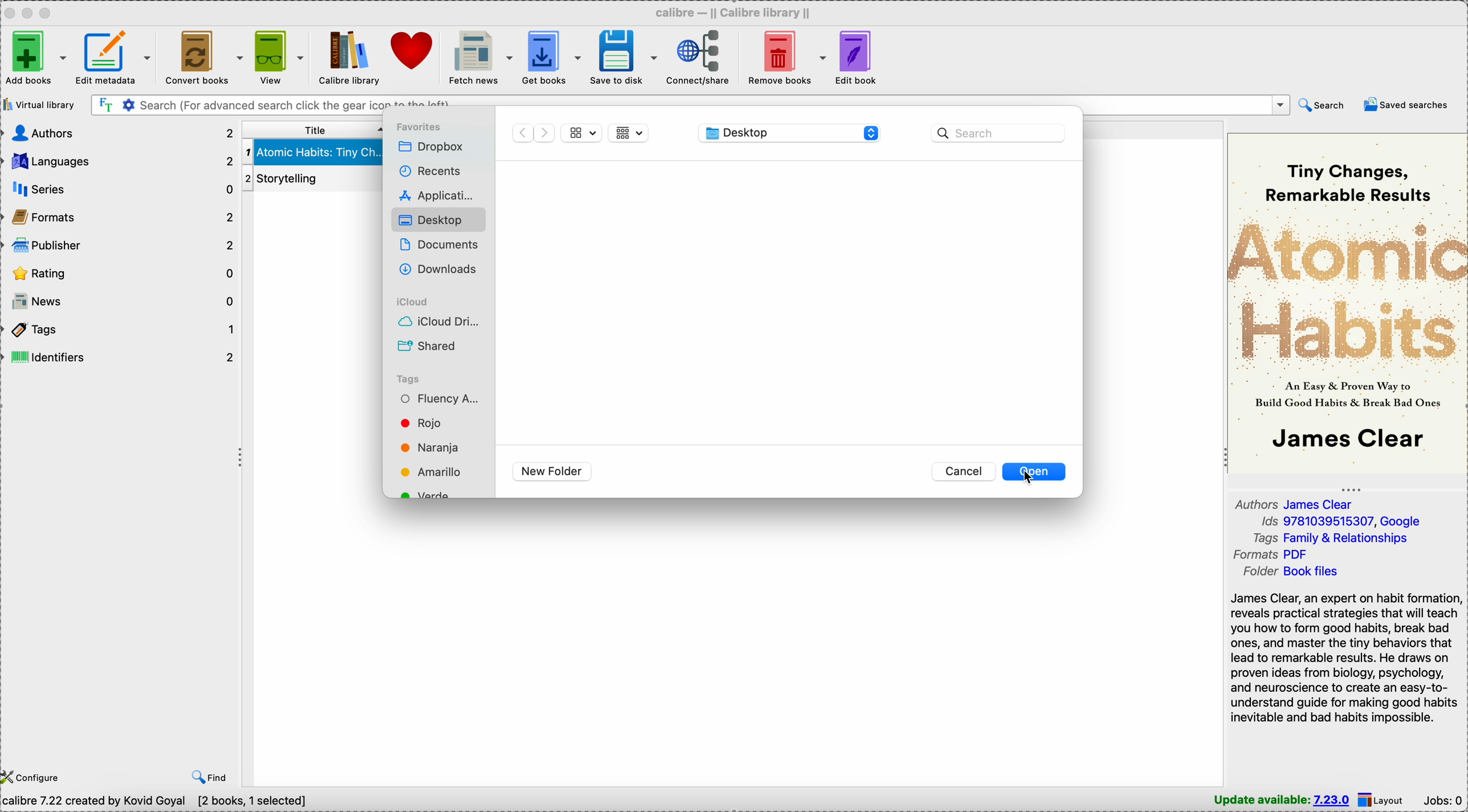 This screenshot has height=812, width=1468. Describe the element at coordinates (119, 58) in the screenshot. I see `edit metadata` at that location.